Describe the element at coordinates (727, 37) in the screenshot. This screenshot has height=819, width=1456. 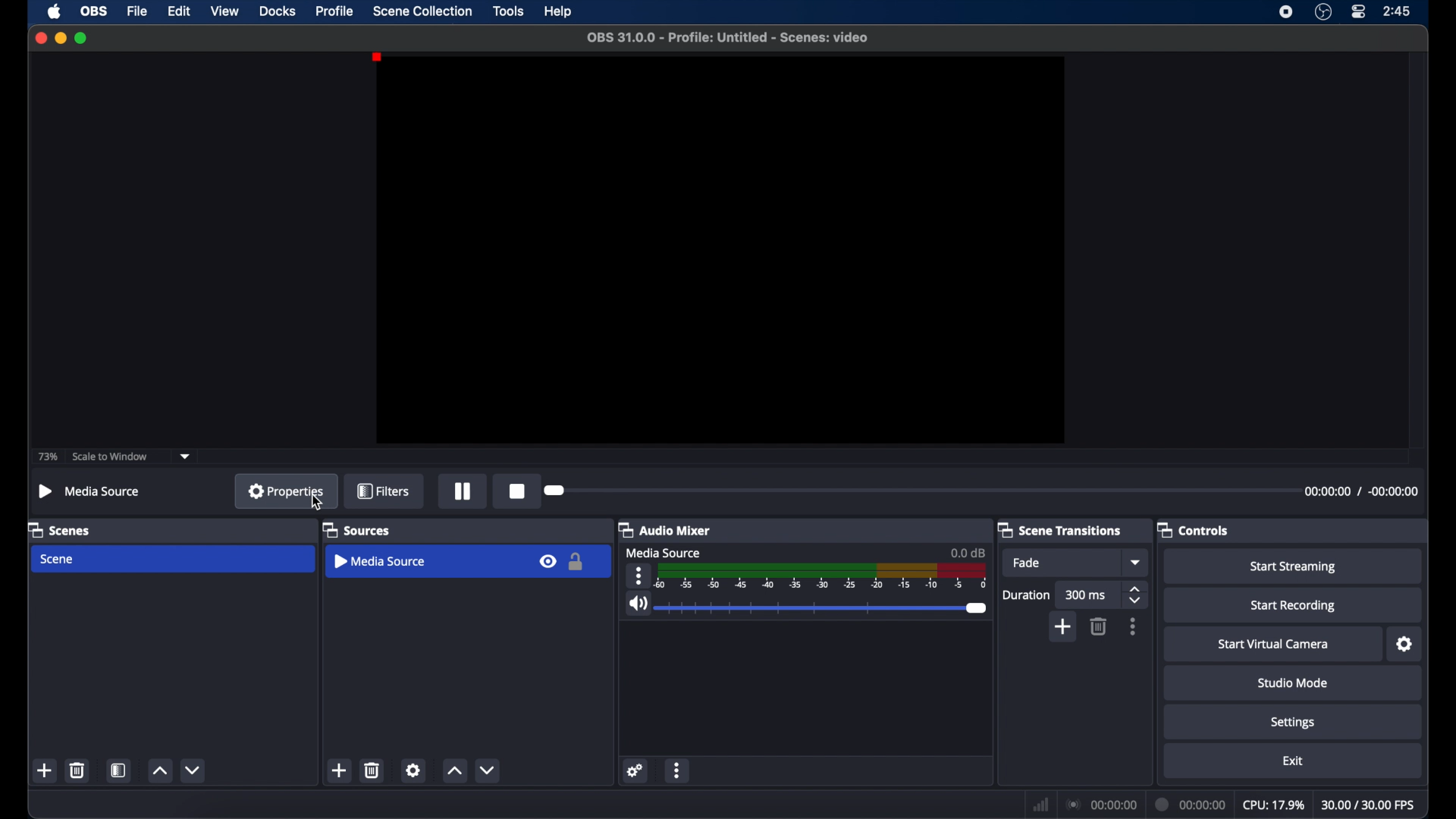
I see `file name` at that location.